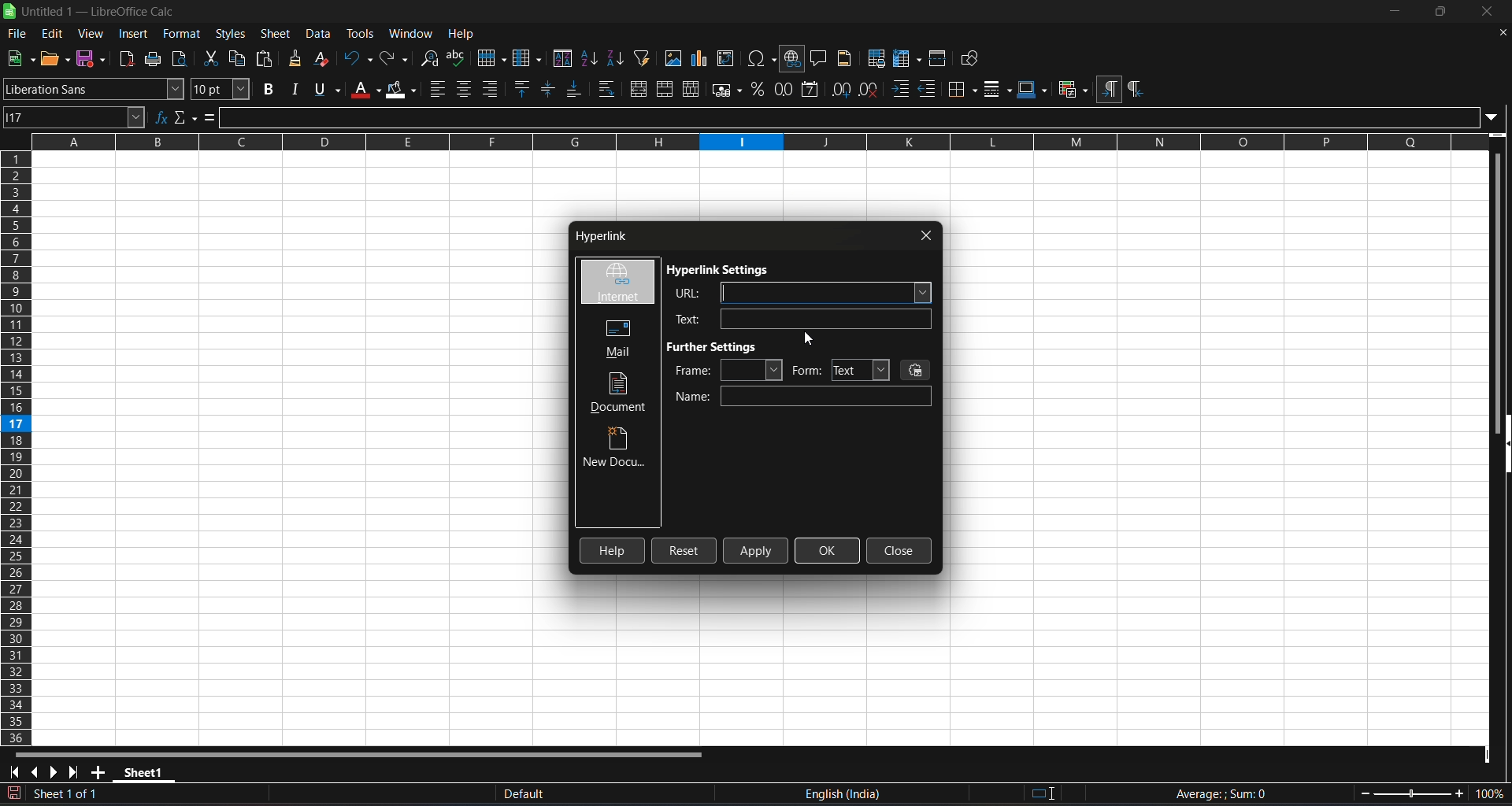 The image size is (1512, 806). What do you see at coordinates (321, 34) in the screenshot?
I see `data` at bounding box center [321, 34].